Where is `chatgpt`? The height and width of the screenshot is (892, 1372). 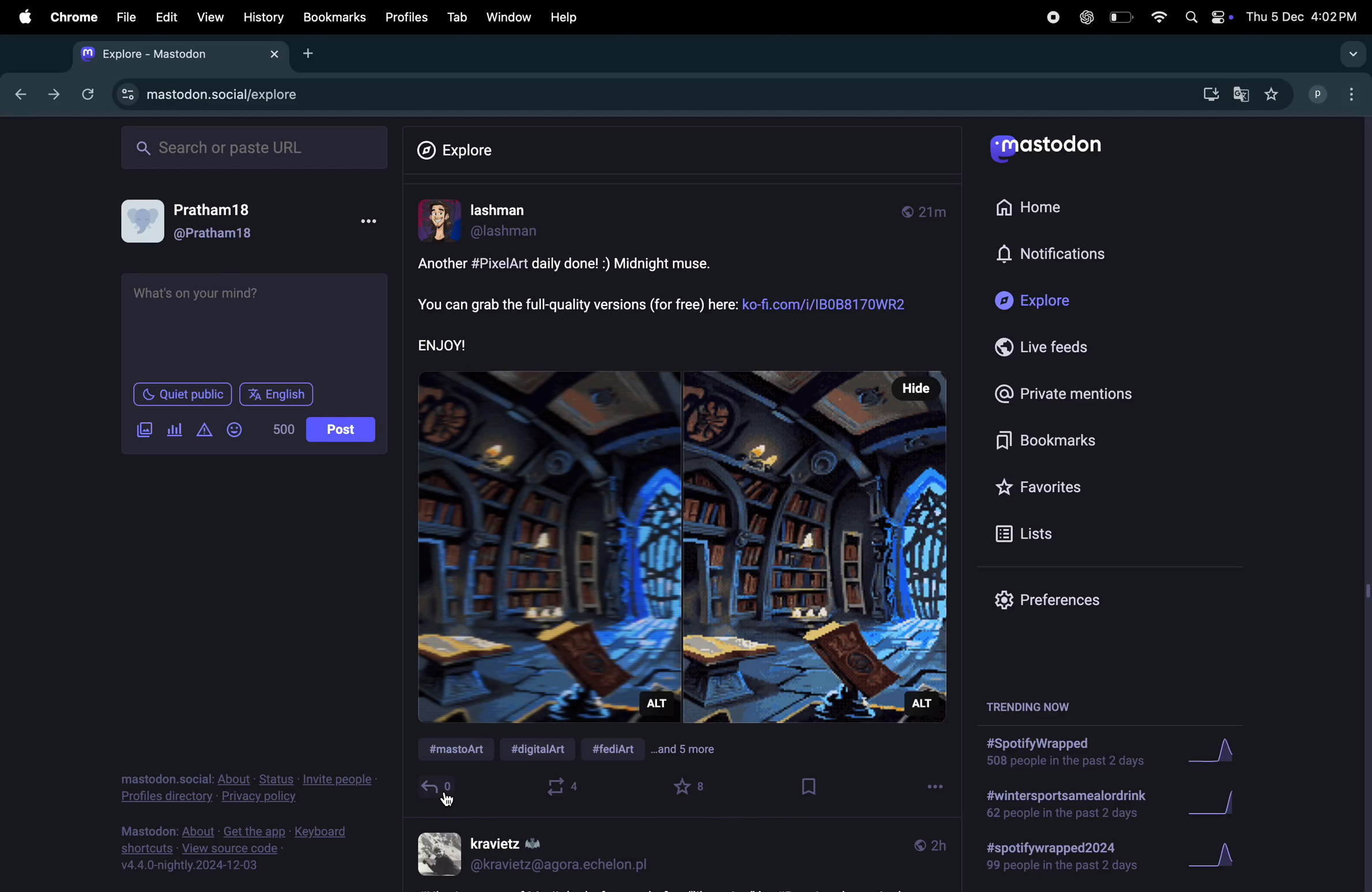
chatgpt is located at coordinates (1085, 18).